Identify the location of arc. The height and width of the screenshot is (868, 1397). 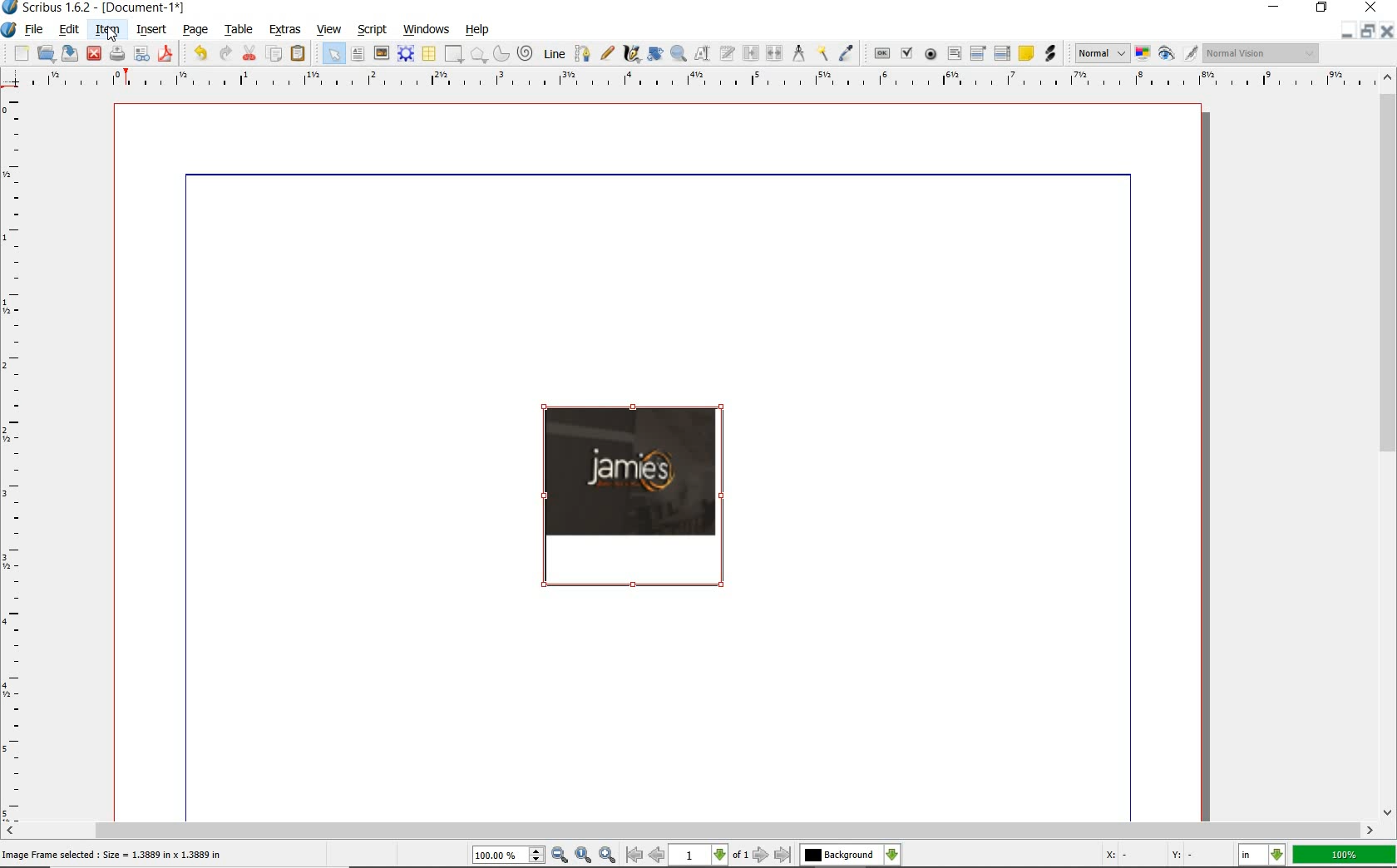
(501, 54).